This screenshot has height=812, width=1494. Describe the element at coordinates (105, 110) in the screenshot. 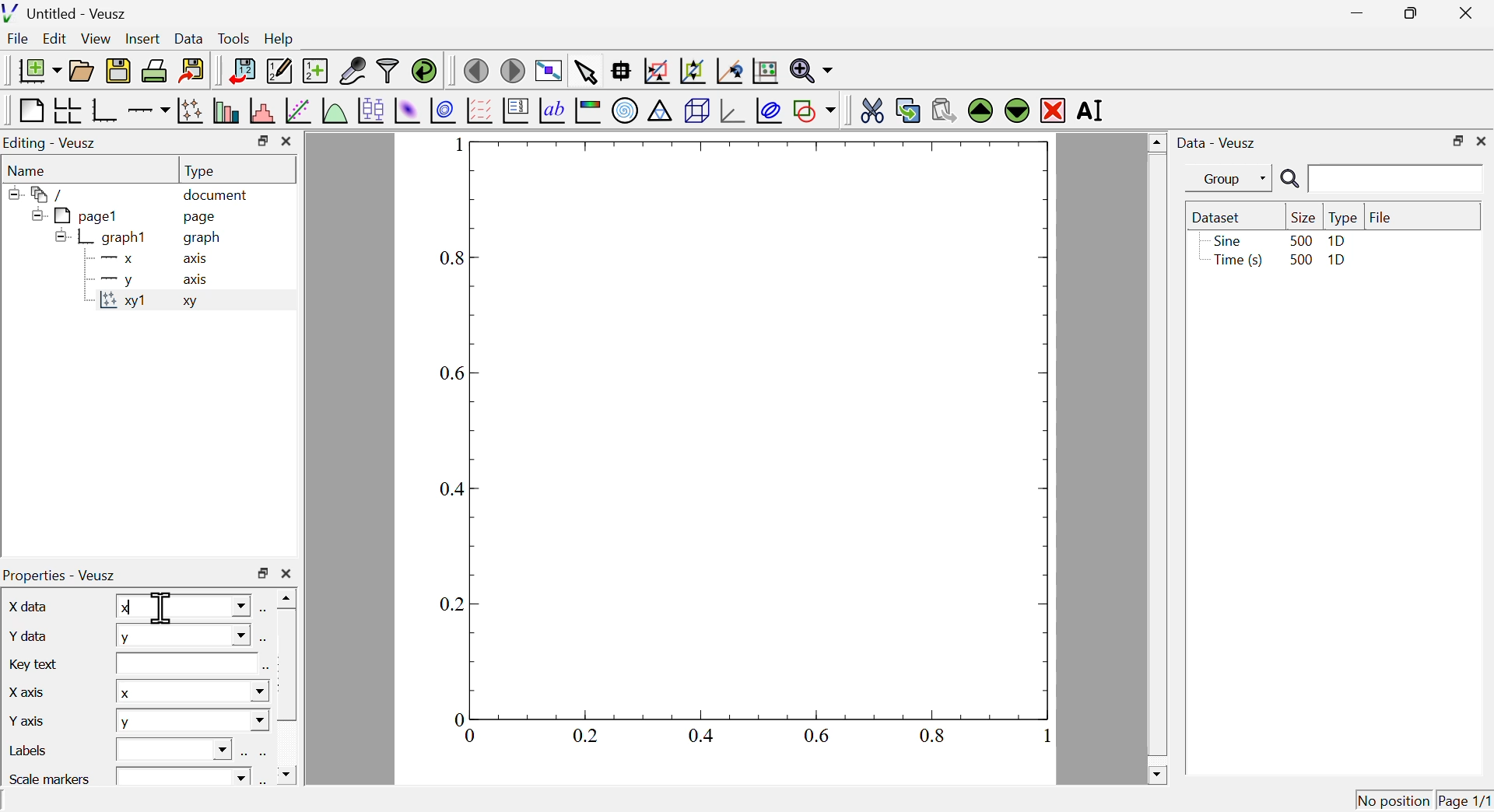

I see `base graph` at that location.